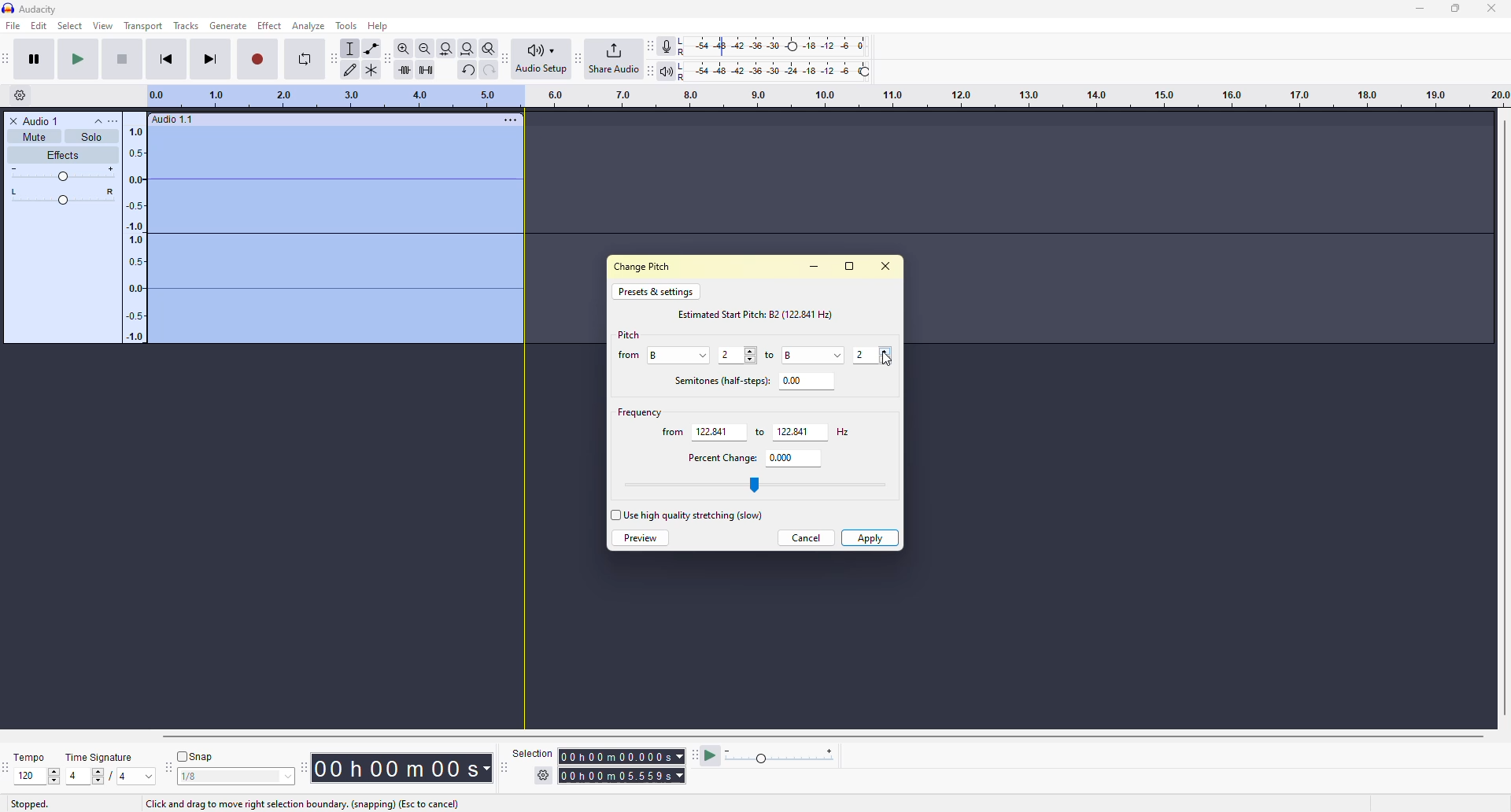  Describe the element at coordinates (774, 46) in the screenshot. I see `recording level` at that location.